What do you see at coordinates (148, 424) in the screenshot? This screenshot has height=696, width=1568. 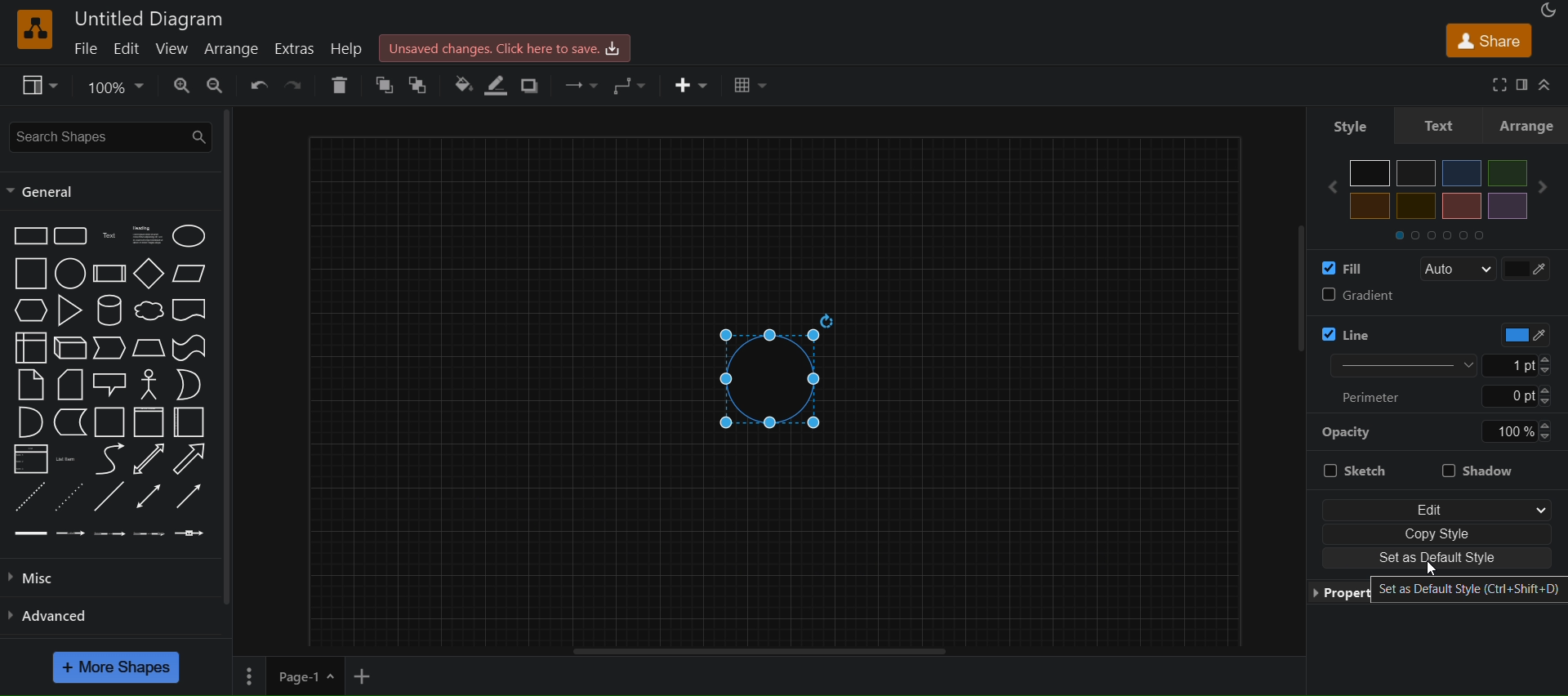 I see `vertical container` at bounding box center [148, 424].